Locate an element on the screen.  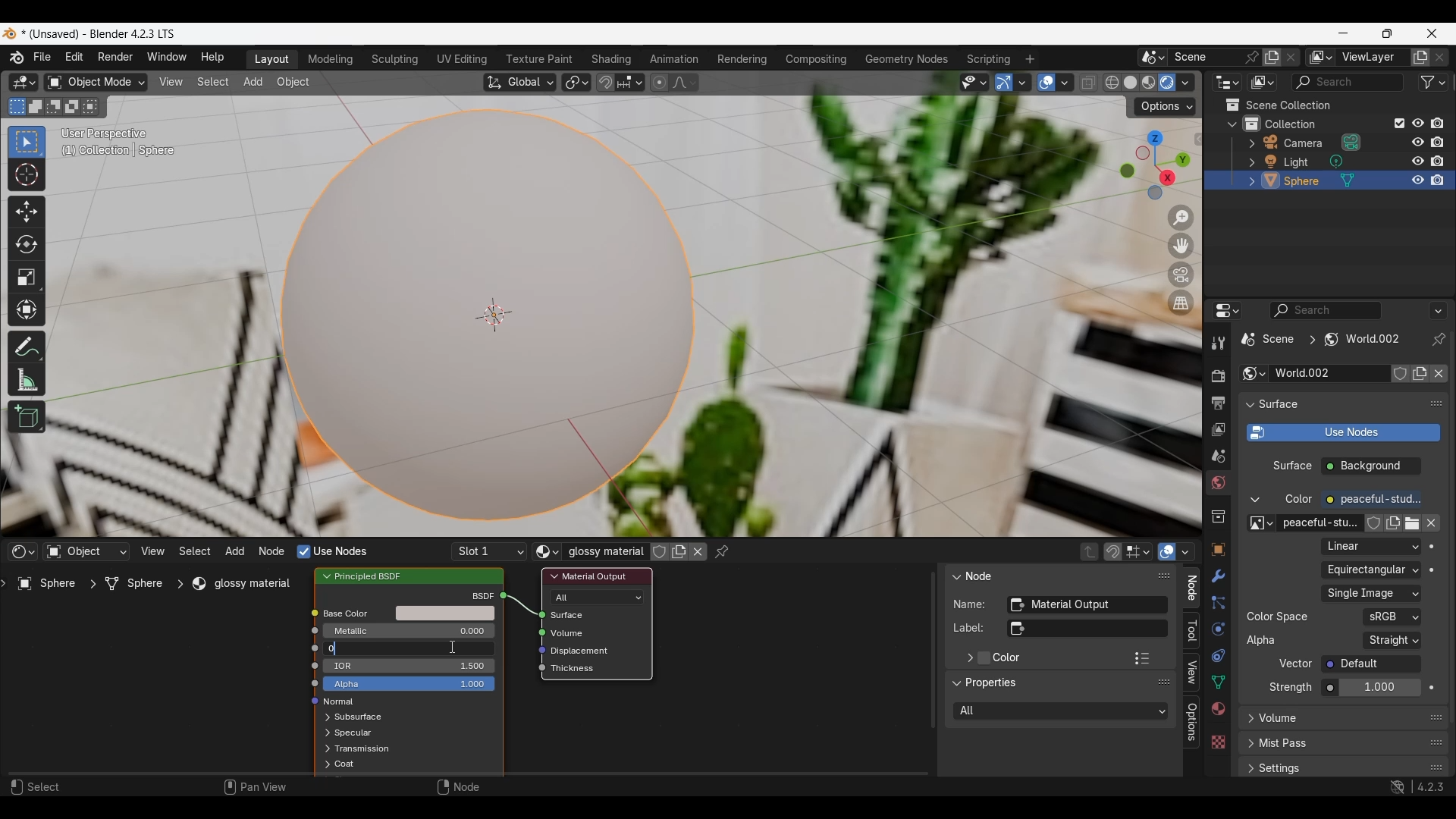
View menu is located at coordinates (171, 83).